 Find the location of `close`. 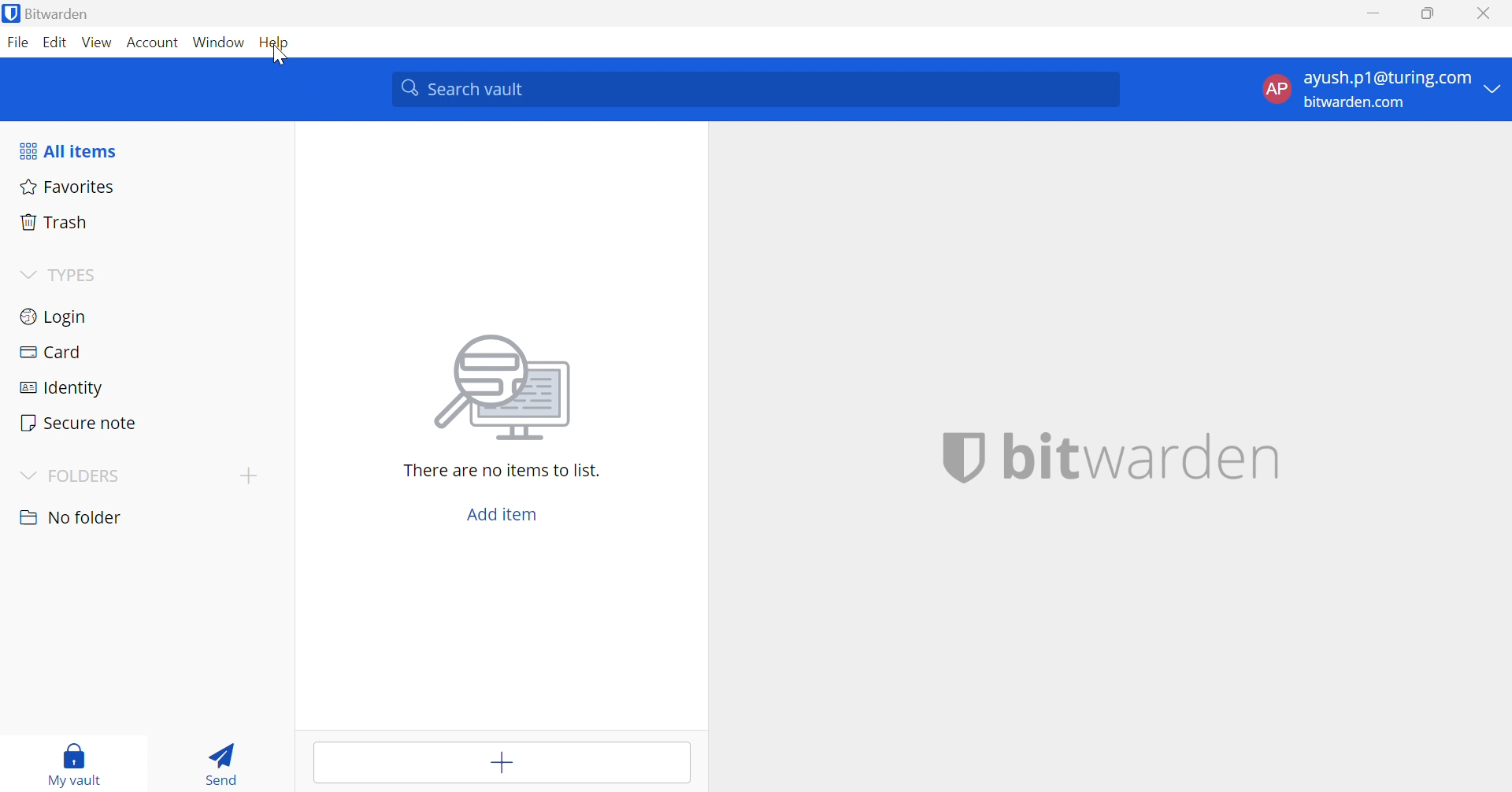

close is located at coordinates (1483, 13).